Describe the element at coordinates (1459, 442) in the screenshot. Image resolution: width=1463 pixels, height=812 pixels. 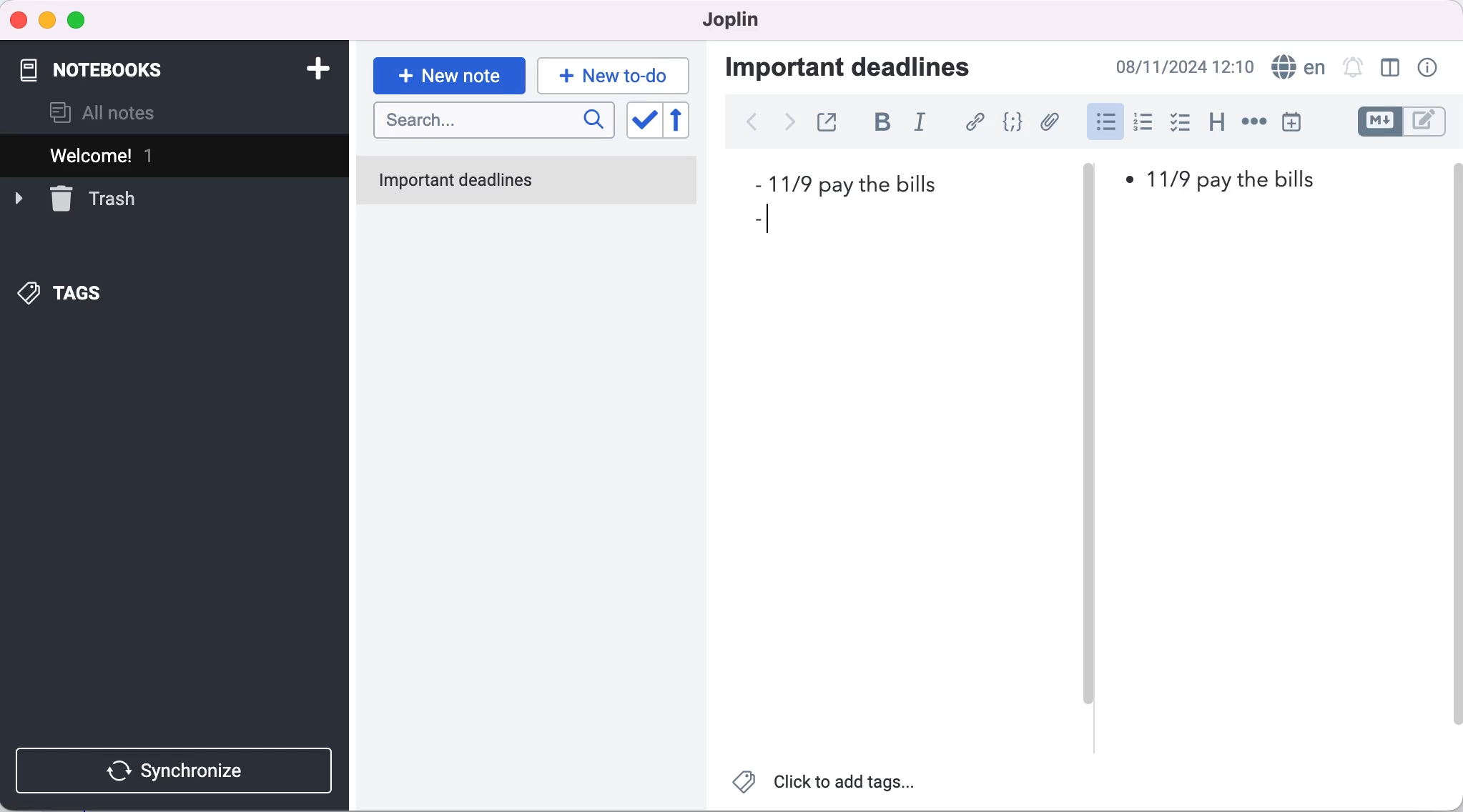
I see `Scrollbar` at that location.